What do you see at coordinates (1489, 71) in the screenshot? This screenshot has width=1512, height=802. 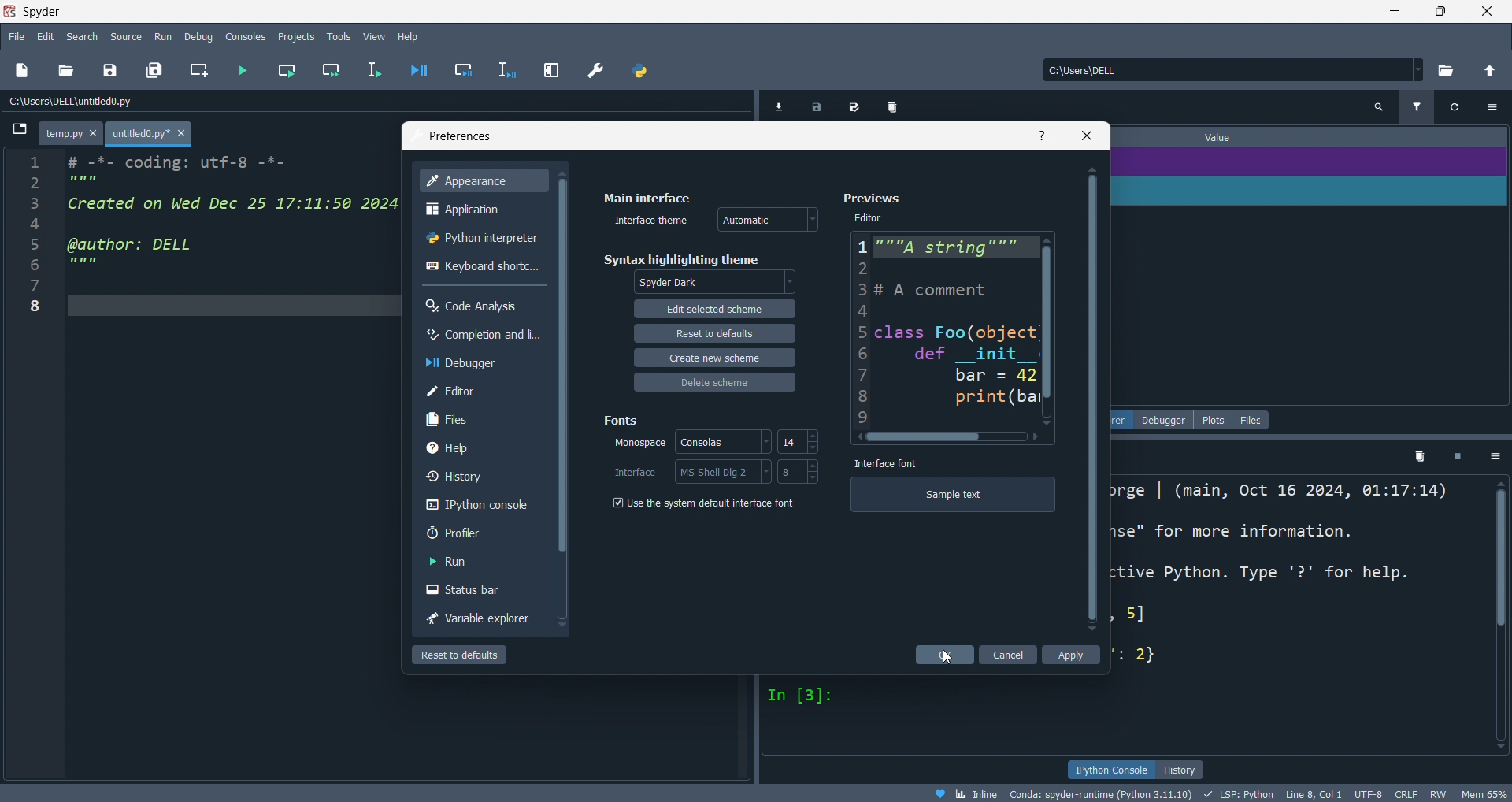 I see `open directory` at bounding box center [1489, 71].